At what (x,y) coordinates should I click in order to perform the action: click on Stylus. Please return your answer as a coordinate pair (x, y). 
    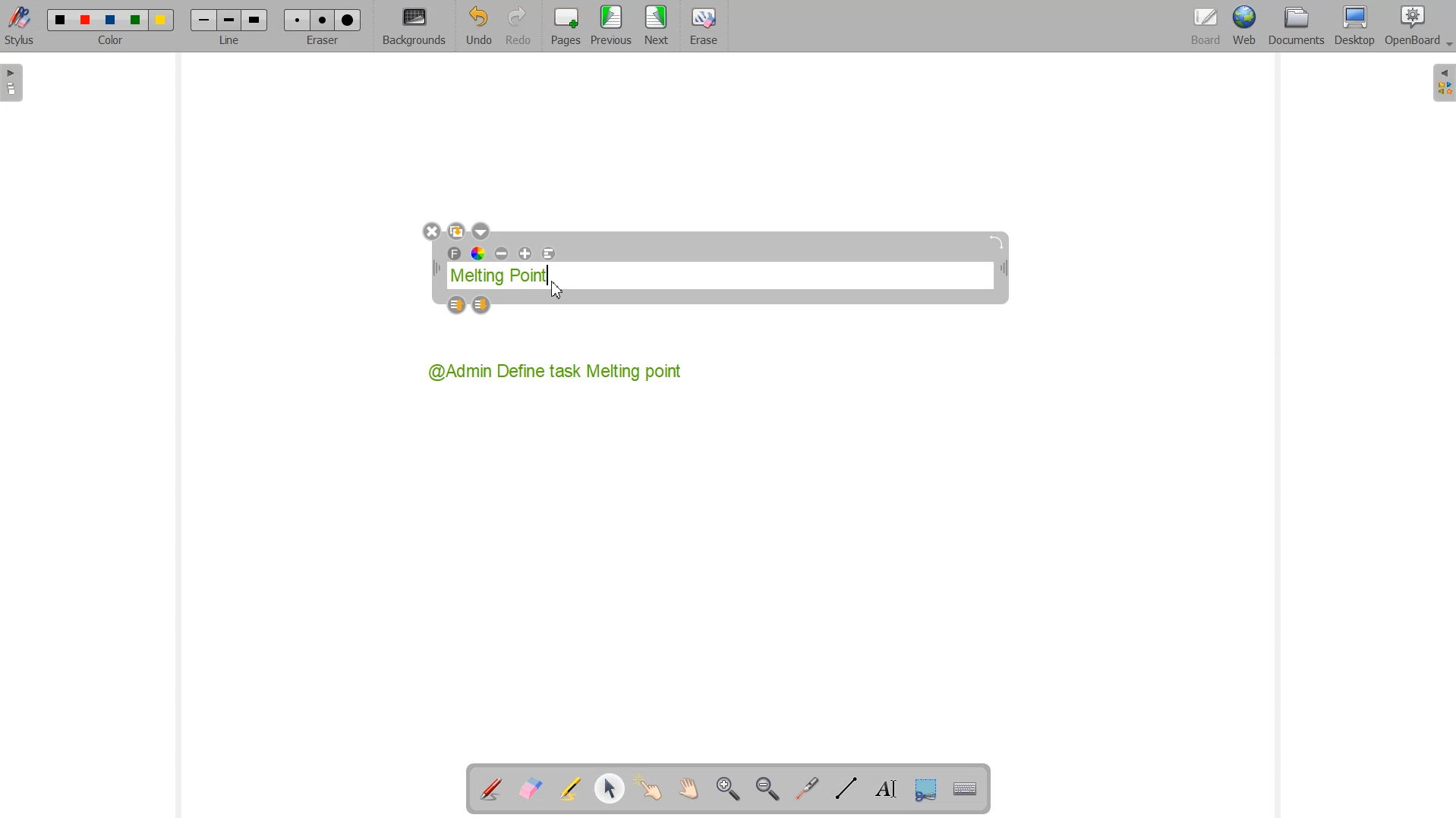
    Looking at the image, I should click on (21, 27).